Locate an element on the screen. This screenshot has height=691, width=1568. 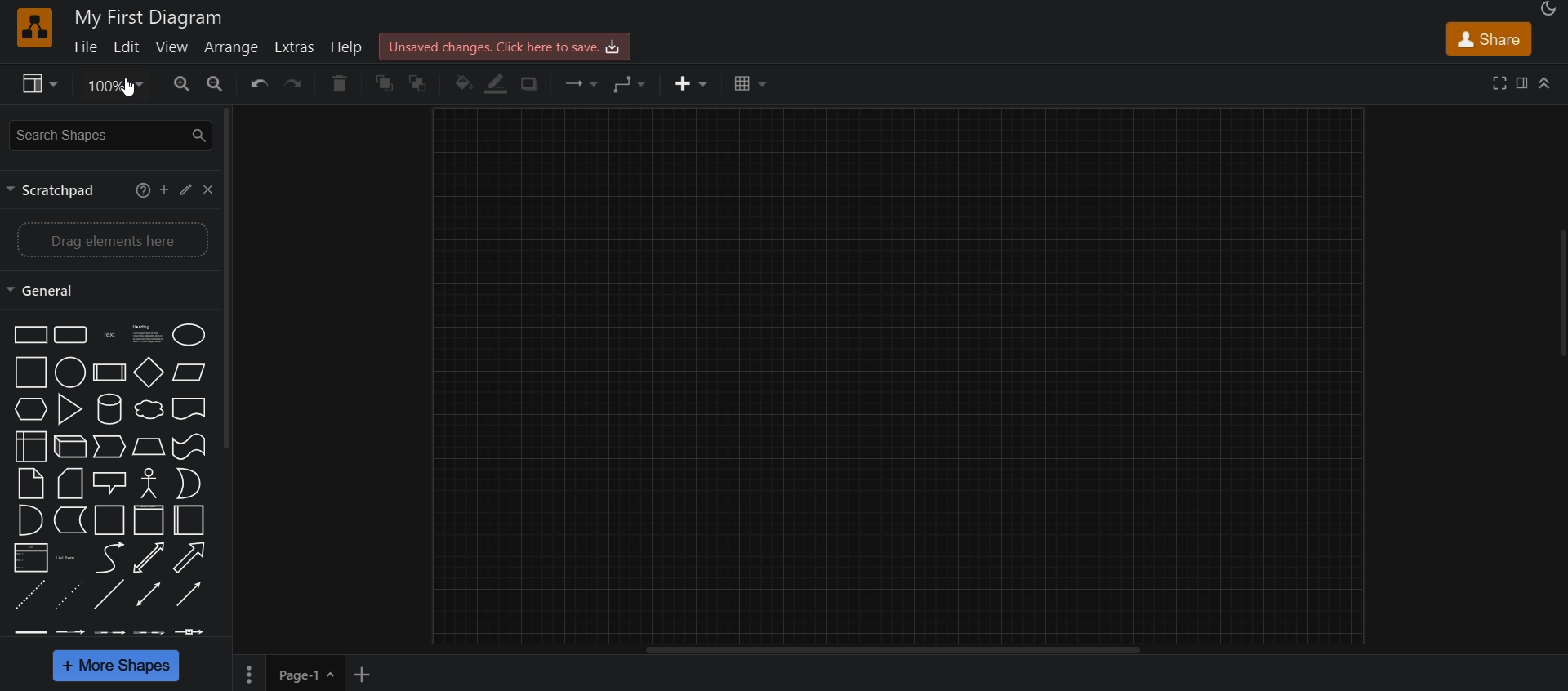
connection is located at coordinates (583, 83).